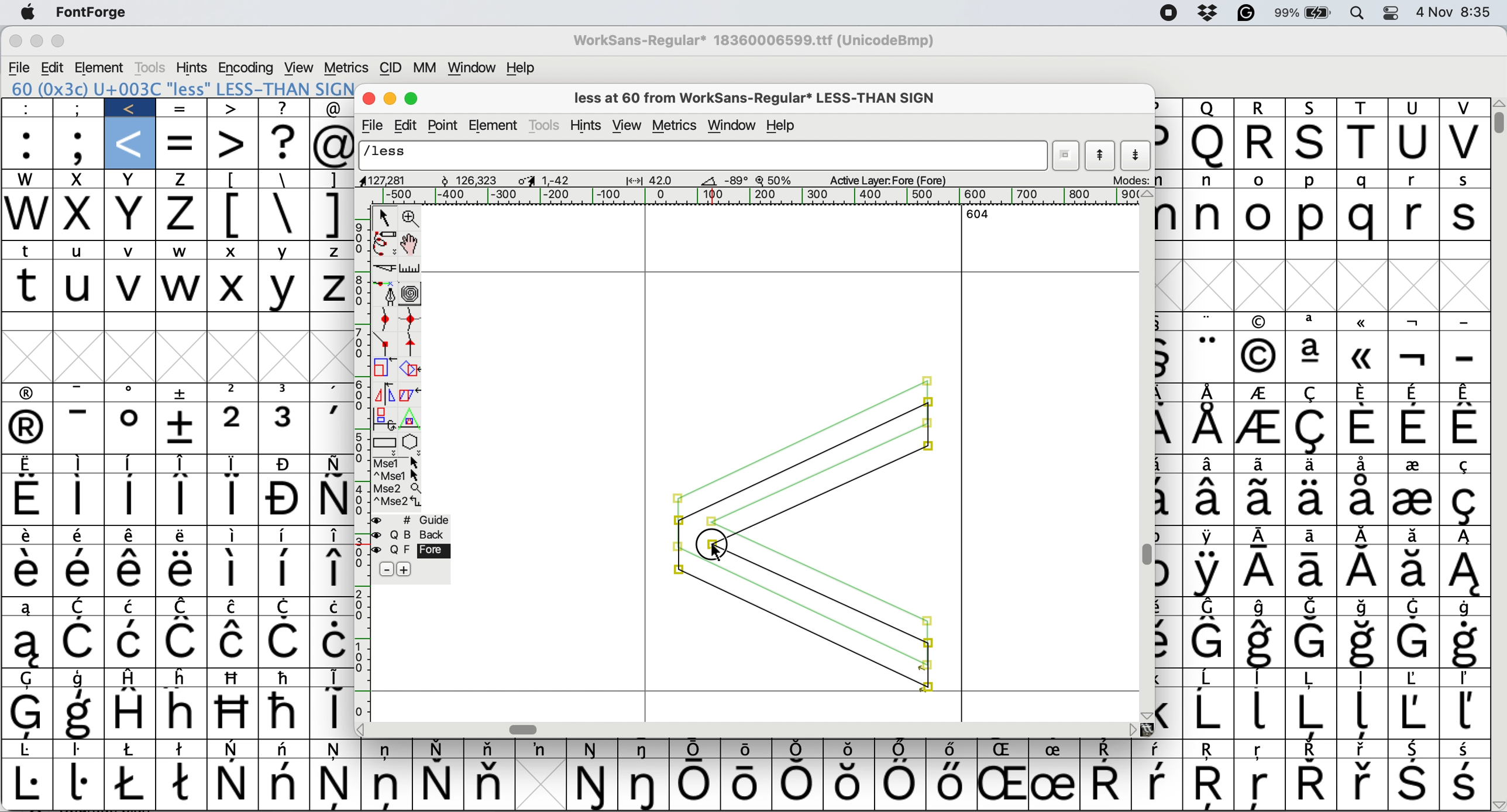 This screenshot has height=812, width=1507. Describe the element at coordinates (951, 784) in the screenshot. I see `Symbol` at that location.